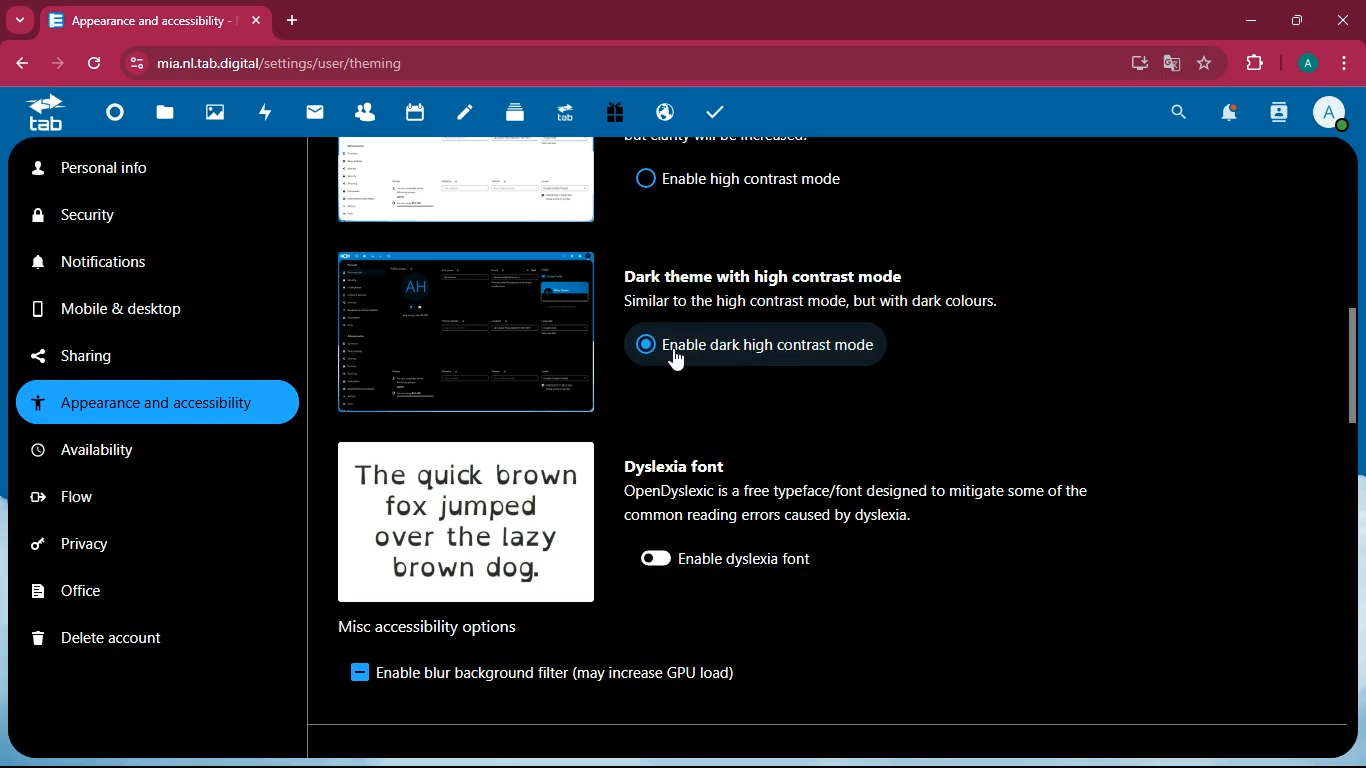  I want to click on notes, so click(469, 117).